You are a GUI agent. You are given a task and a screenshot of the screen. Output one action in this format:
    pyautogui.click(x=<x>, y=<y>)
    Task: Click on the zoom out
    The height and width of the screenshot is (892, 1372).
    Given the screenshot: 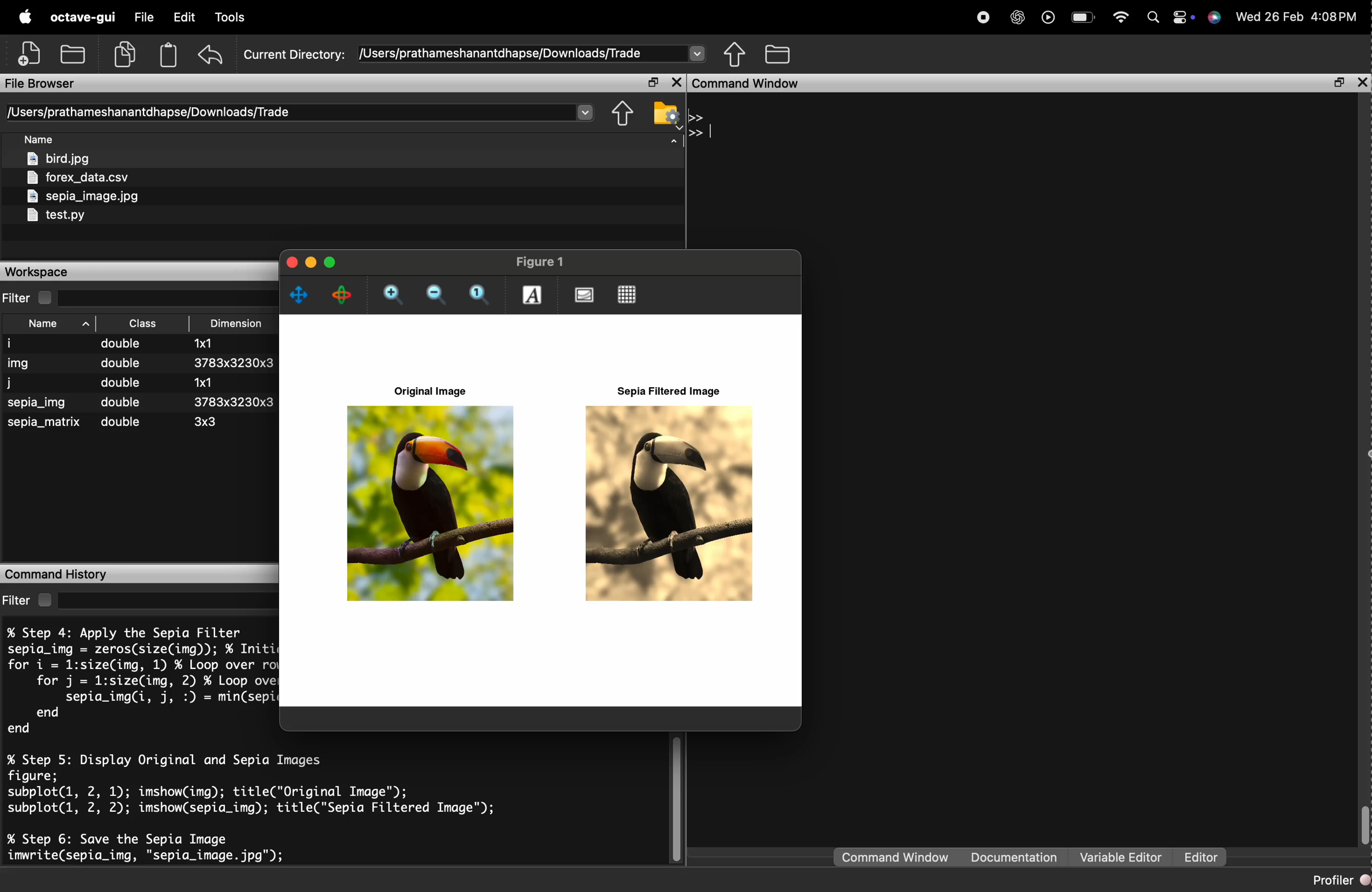 What is the action you would take?
    pyautogui.click(x=438, y=296)
    